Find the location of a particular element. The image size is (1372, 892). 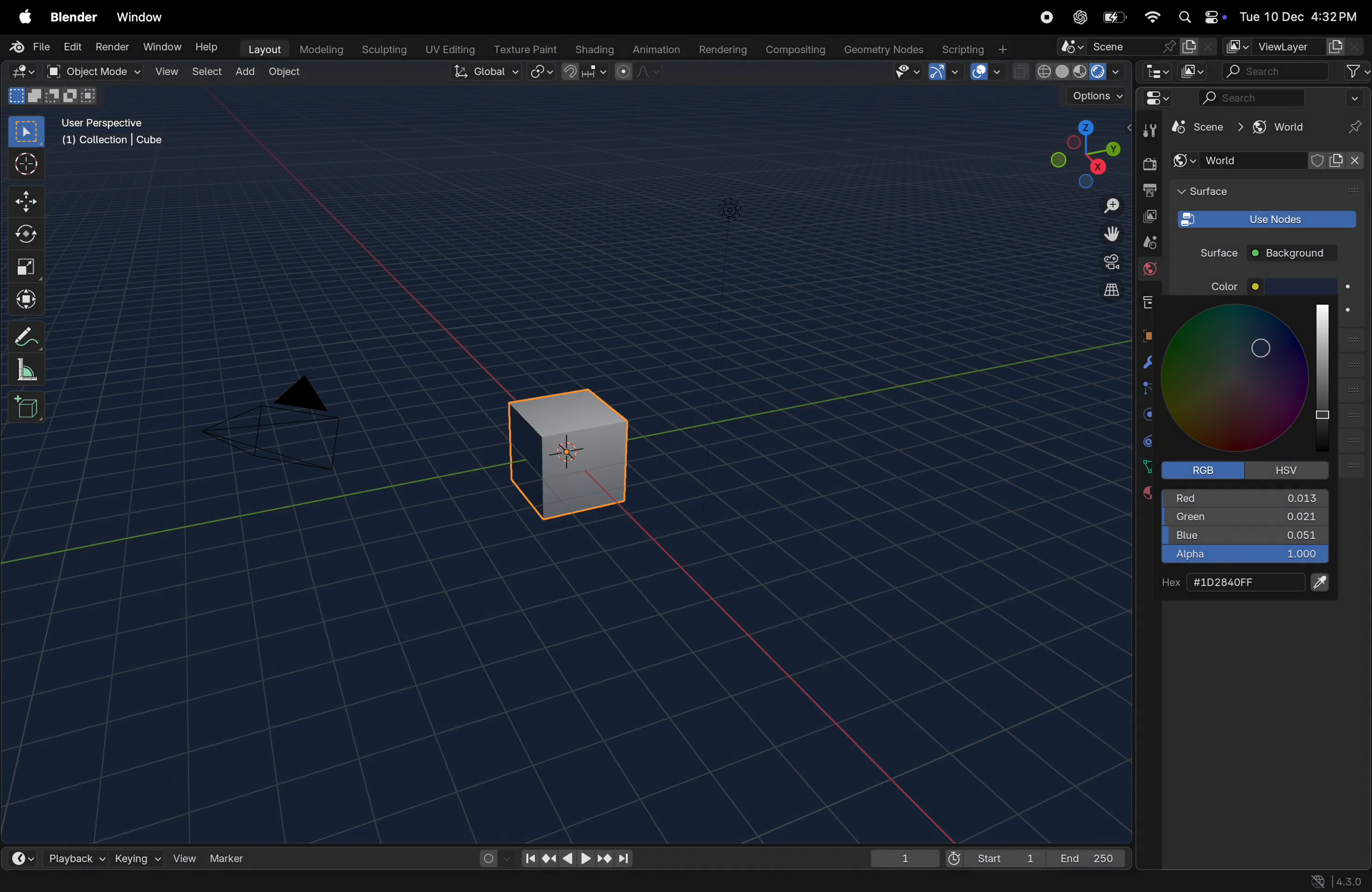

playback is located at coordinates (71, 856).